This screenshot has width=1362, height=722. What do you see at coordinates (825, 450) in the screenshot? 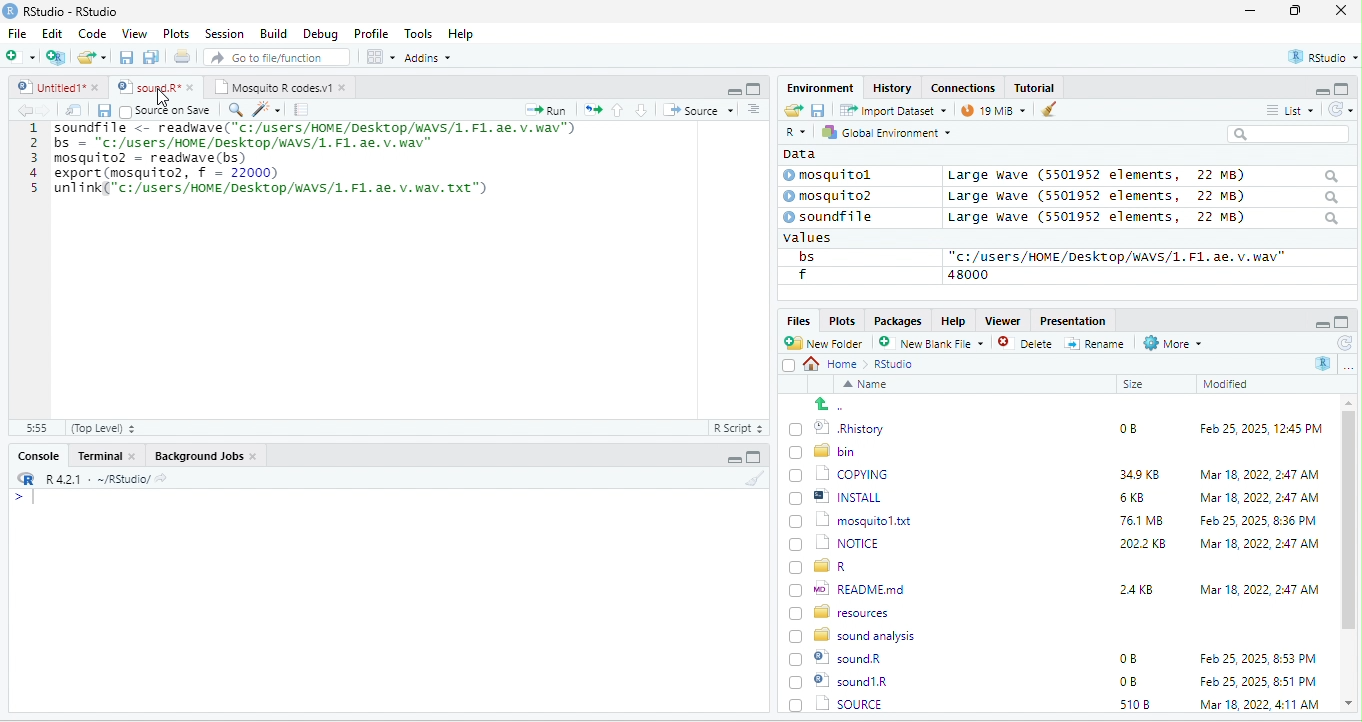
I see `Ld bin` at bounding box center [825, 450].